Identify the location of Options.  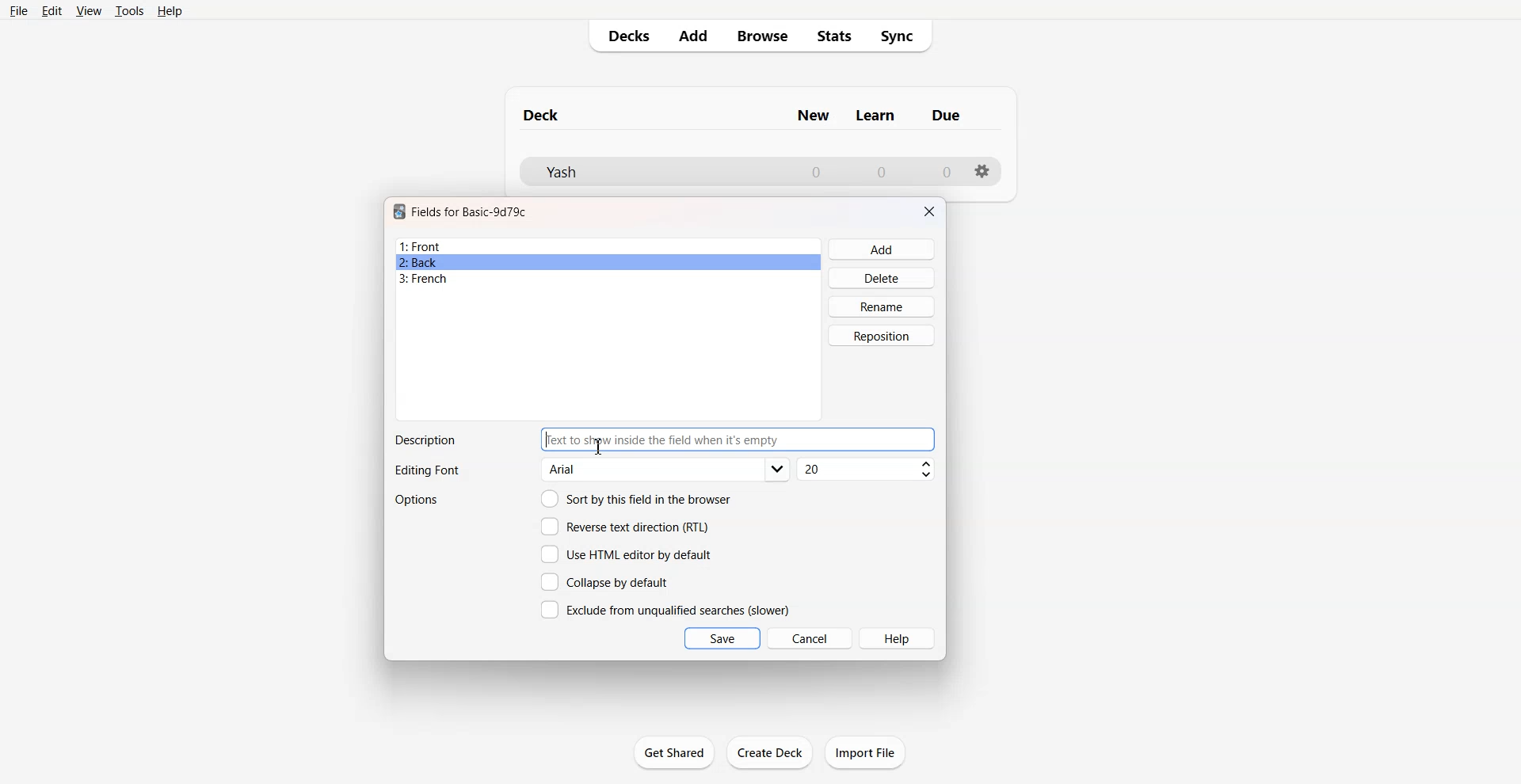
(418, 500).